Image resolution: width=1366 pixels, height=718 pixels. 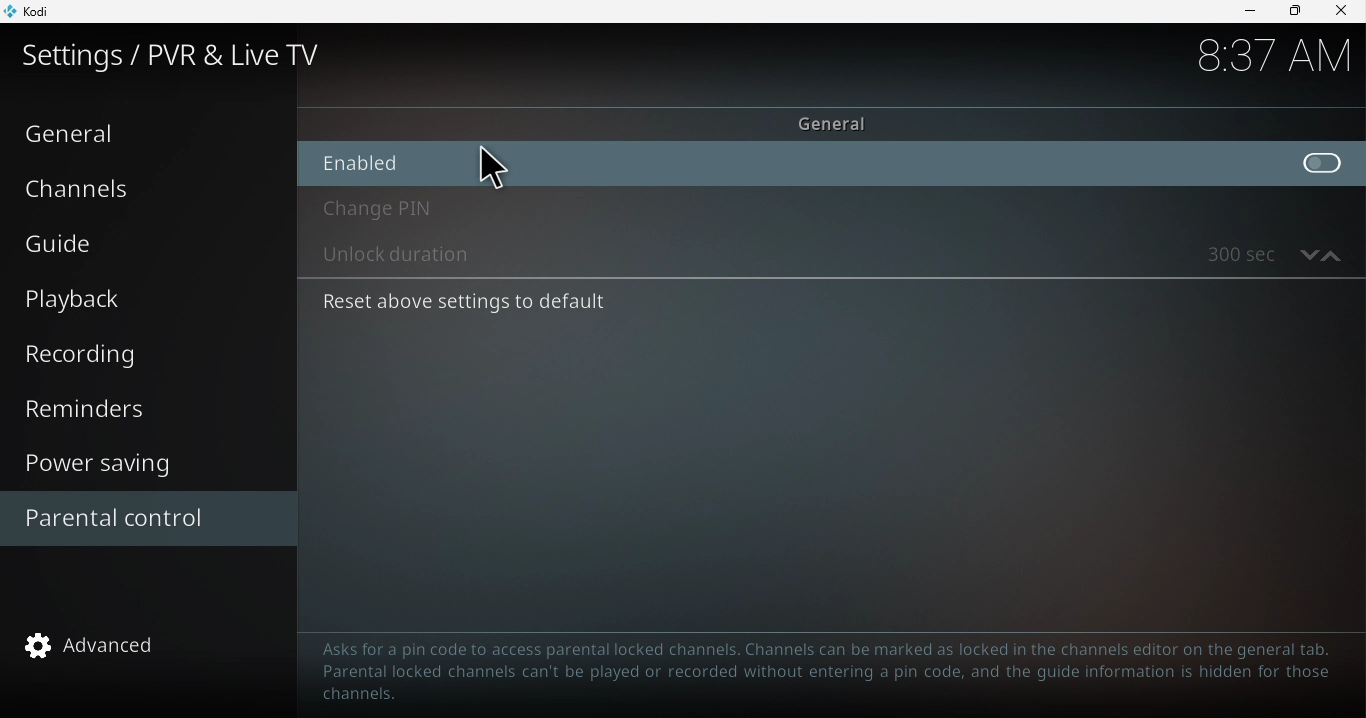 What do you see at coordinates (589, 302) in the screenshot?
I see `Reset above settings to default` at bounding box center [589, 302].